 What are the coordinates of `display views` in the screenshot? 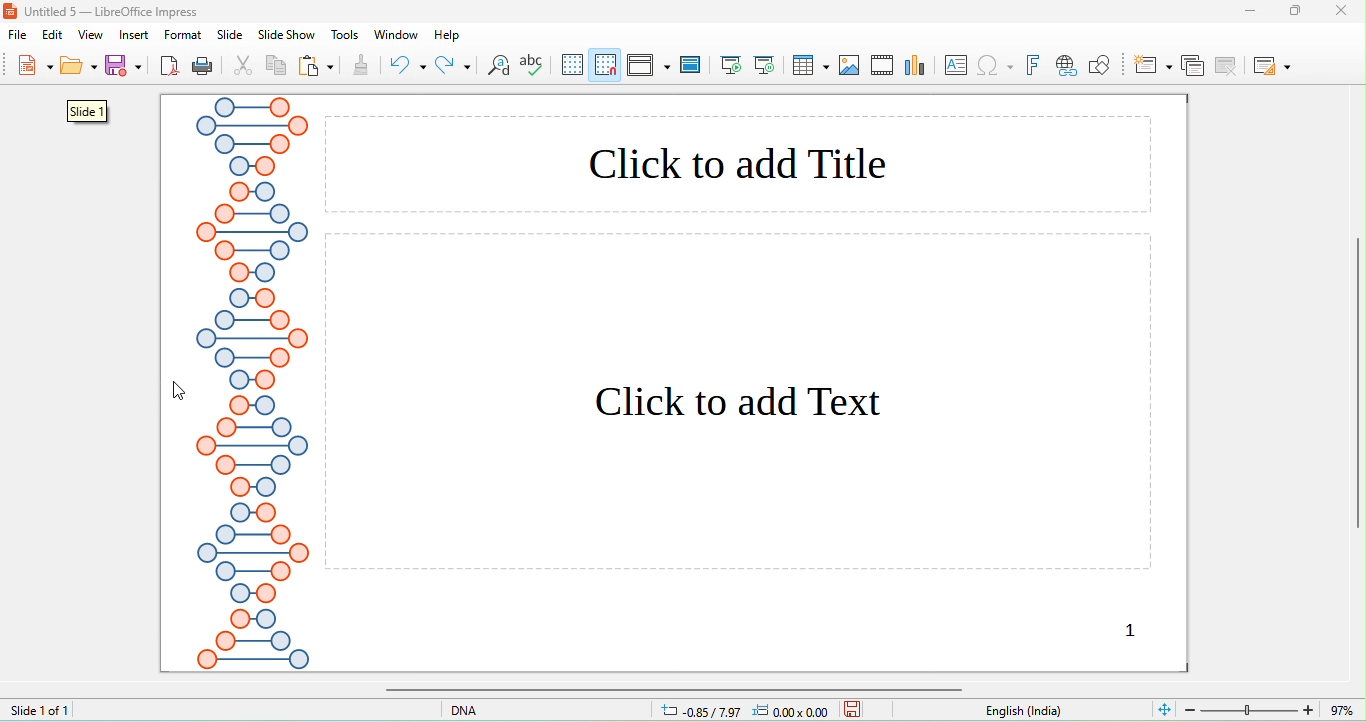 It's located at (649, 64).